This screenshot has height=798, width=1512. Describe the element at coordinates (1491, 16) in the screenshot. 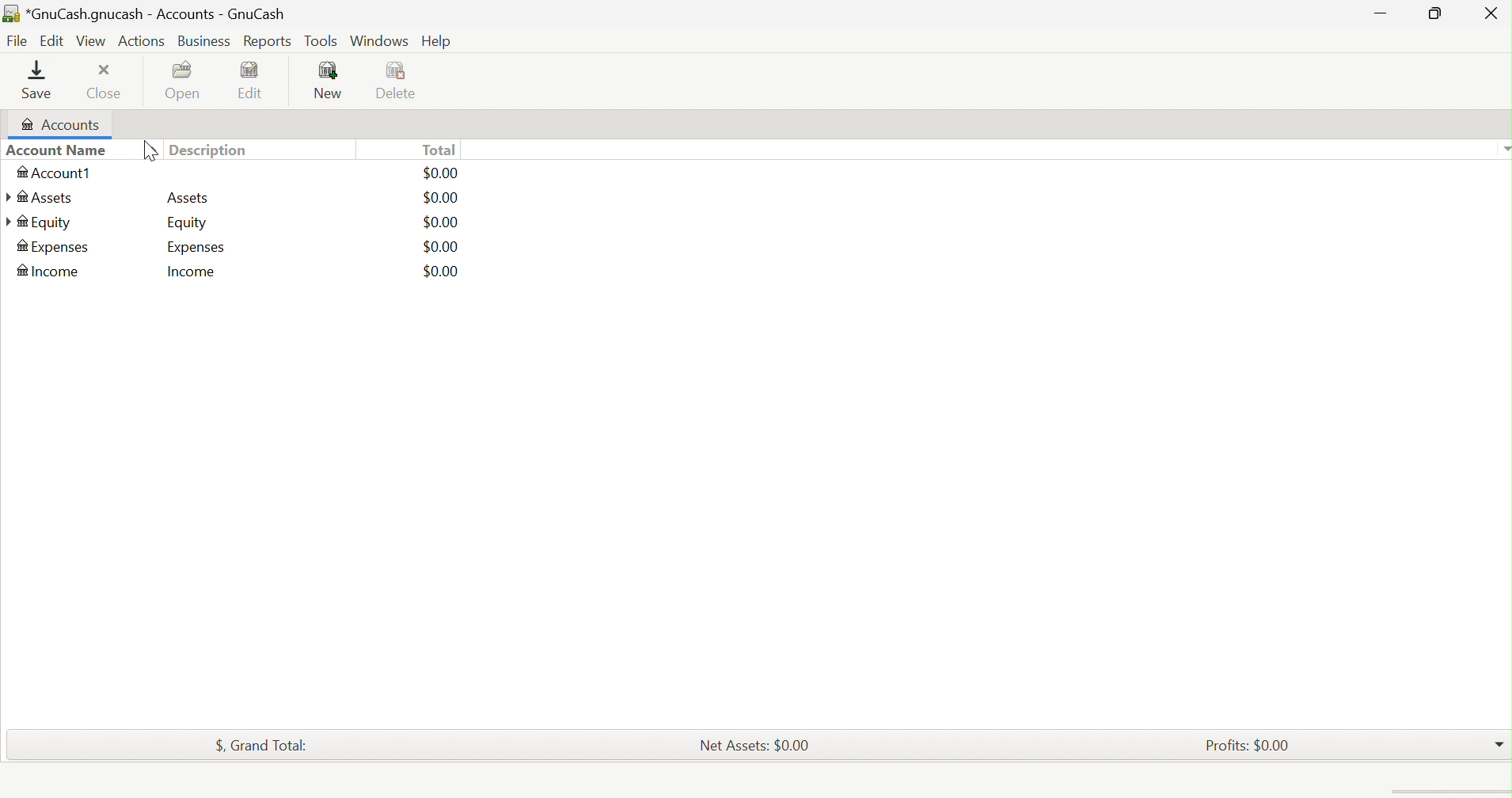

I see `Close` at that location.